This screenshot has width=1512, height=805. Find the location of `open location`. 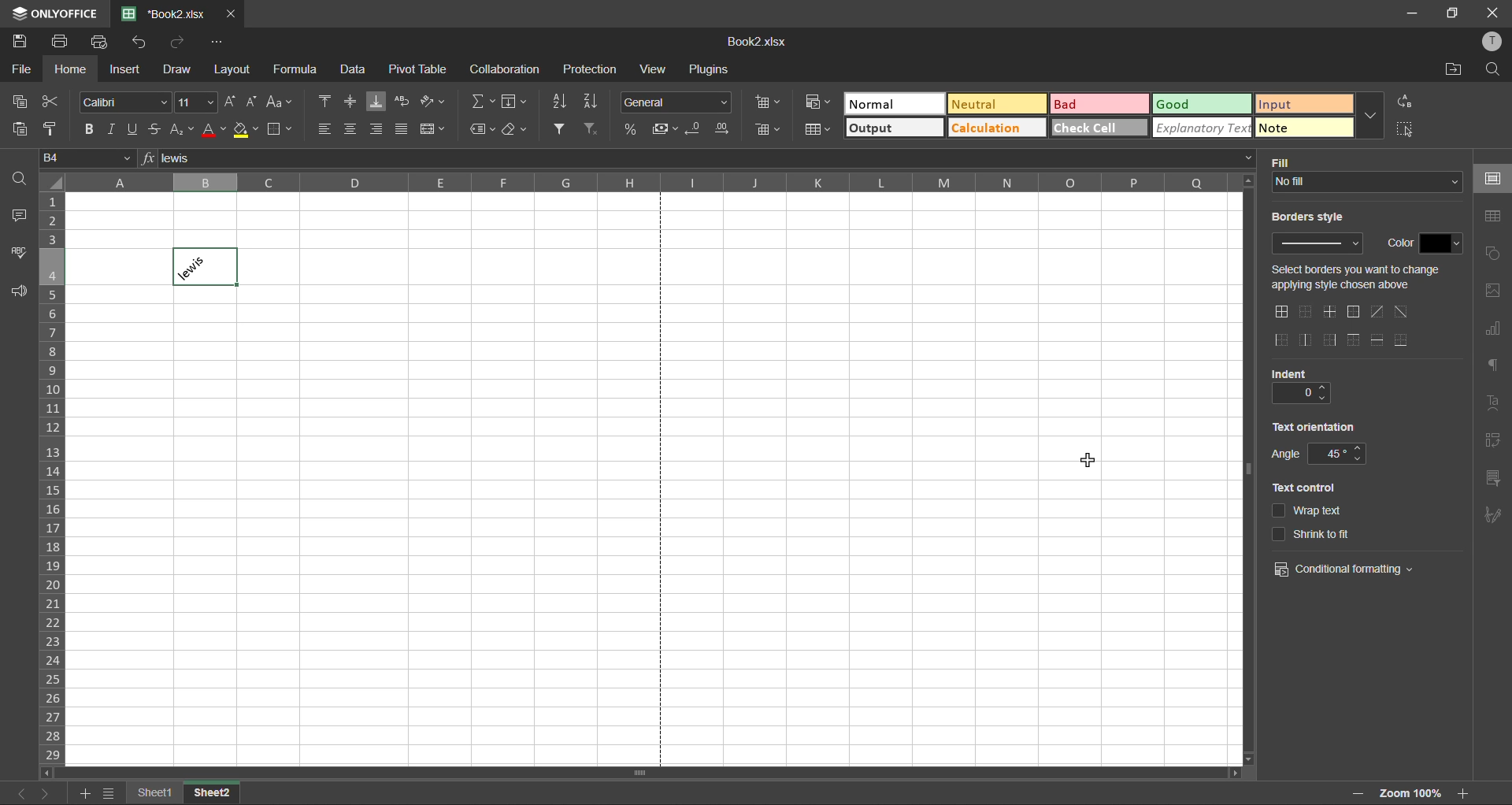

open location is located at coordinates (1455, 70).